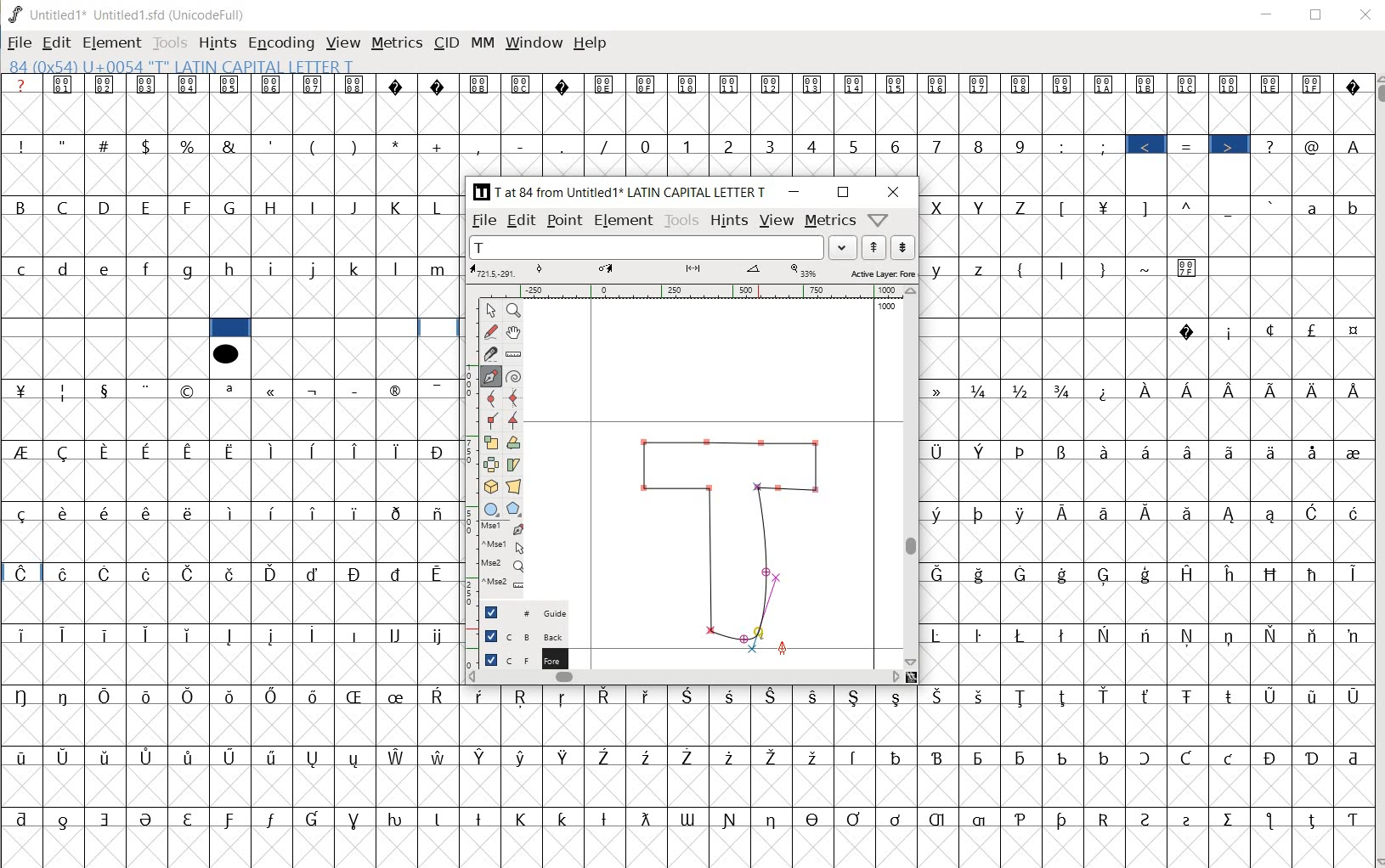  Describe the element at coordinates (225, 352) in the screenshot. I see `symbol` at that location.